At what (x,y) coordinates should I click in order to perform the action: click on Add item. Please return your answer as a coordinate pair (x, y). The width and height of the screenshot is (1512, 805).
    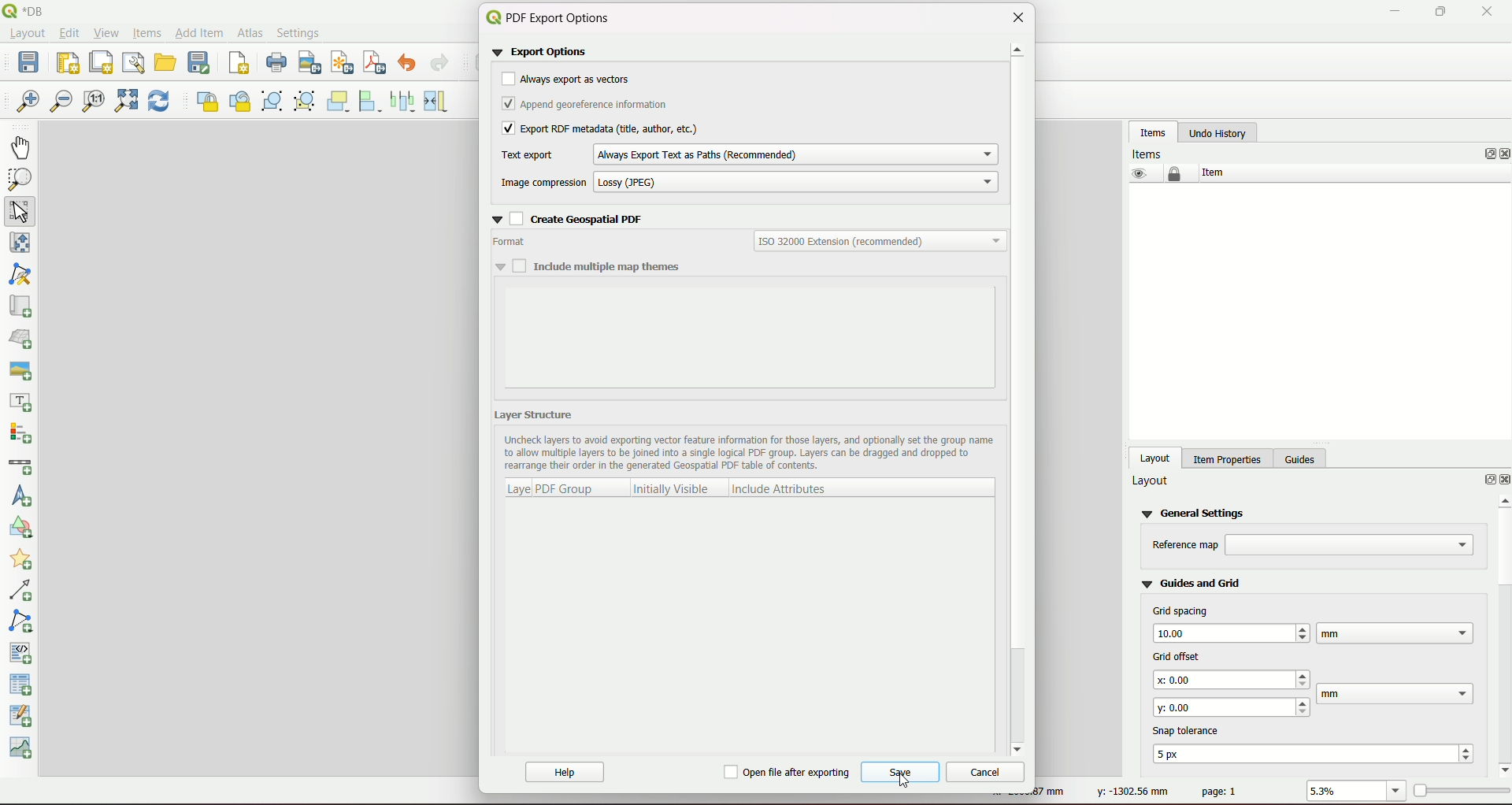
    Looking at the image, I should click on (198, 32).